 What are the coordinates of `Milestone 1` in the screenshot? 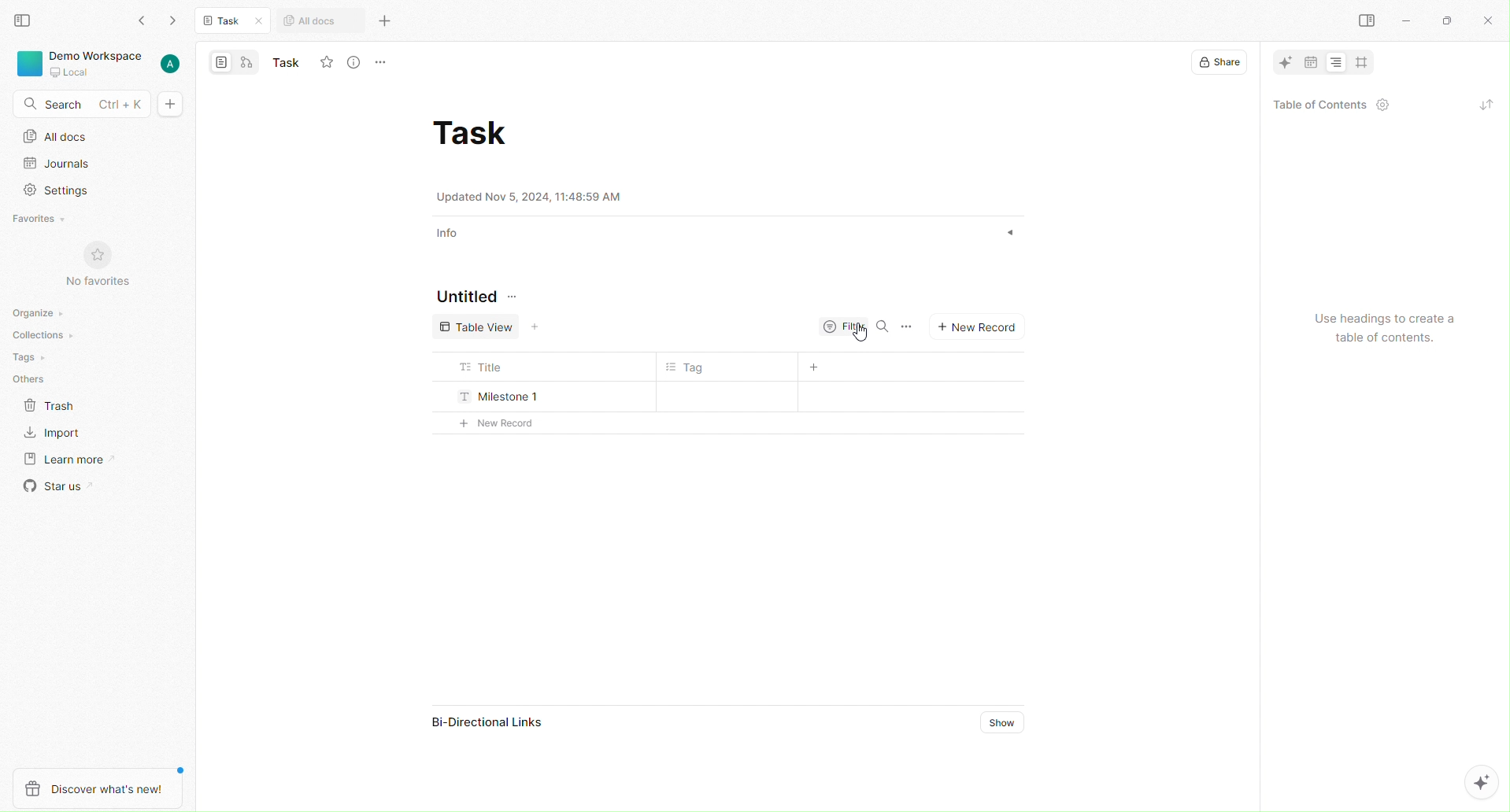 It's located at (500, 397).